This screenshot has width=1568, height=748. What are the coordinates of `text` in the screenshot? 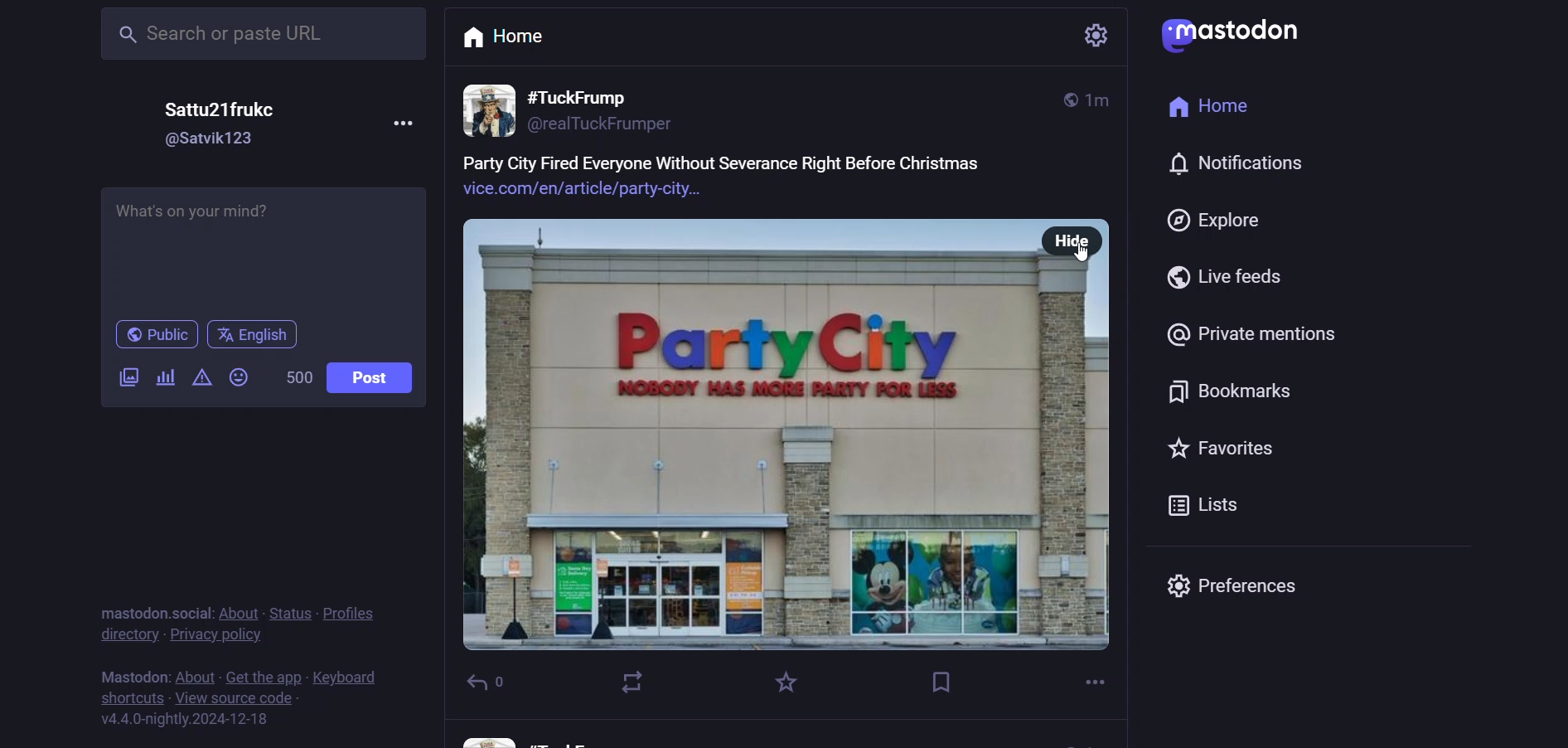 It's located at (129, 671).